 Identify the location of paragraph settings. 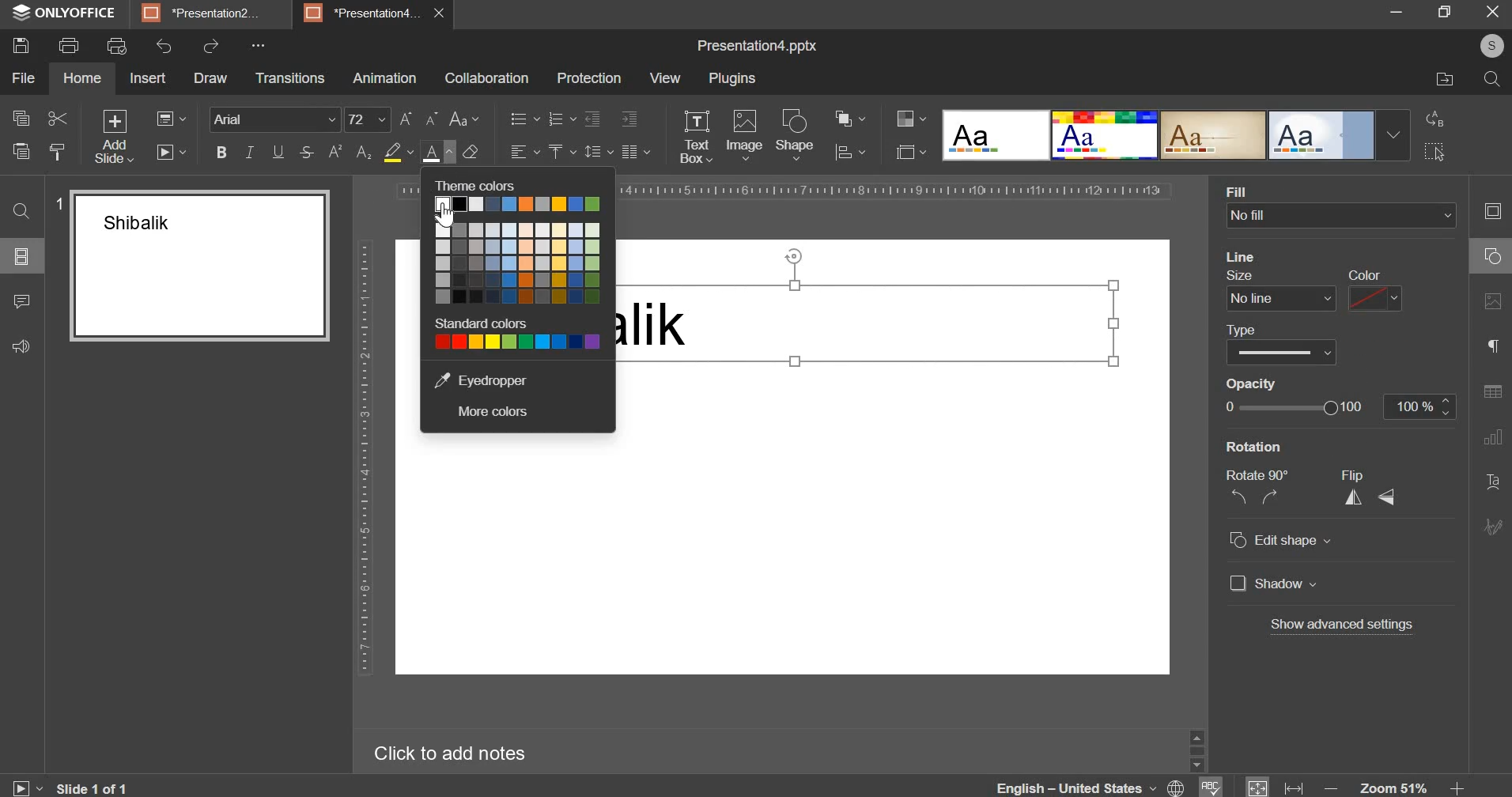
(634, 152).